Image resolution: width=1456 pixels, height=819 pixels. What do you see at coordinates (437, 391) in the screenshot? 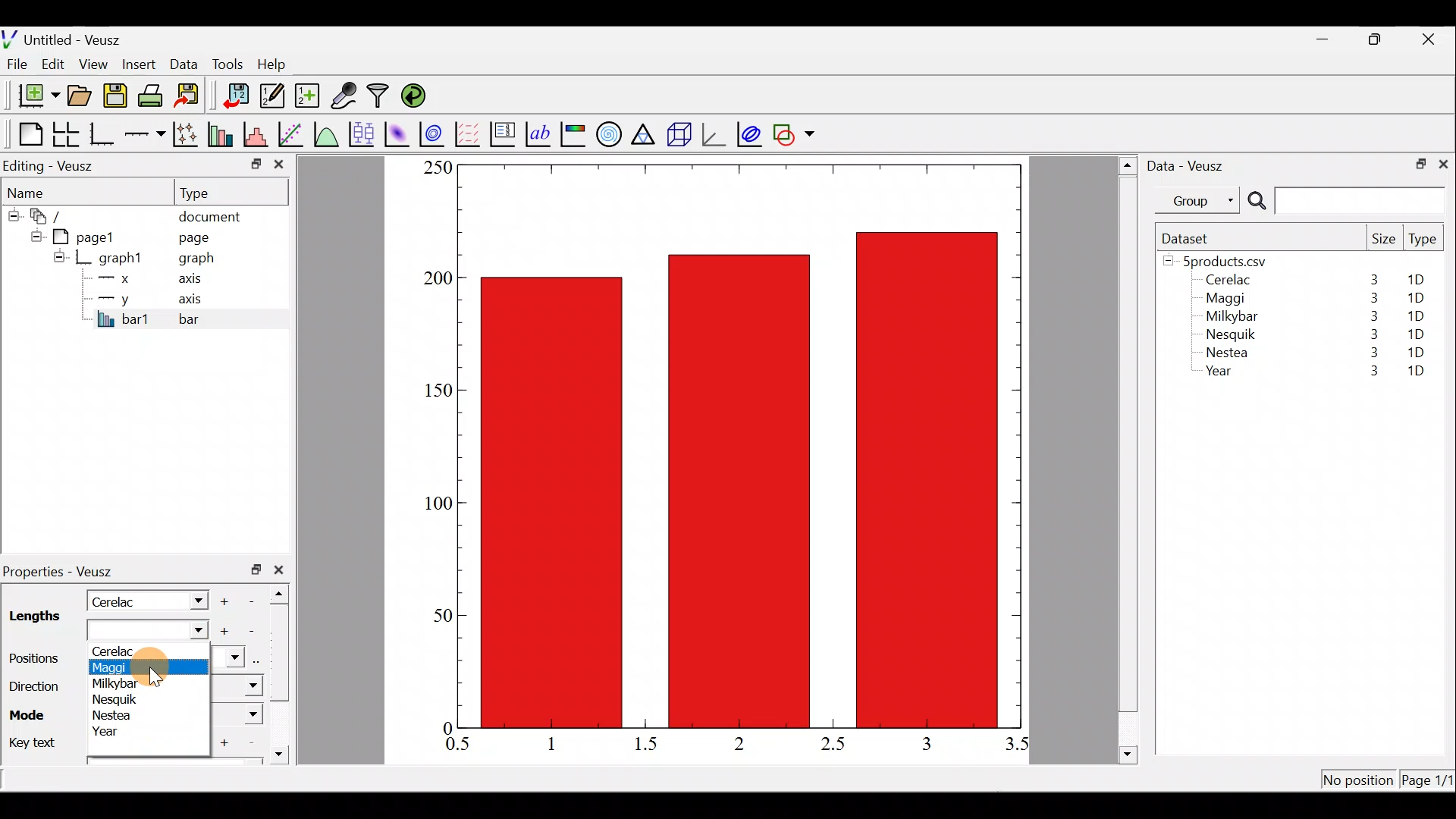
I see `150` at bounding box center [437, 391].